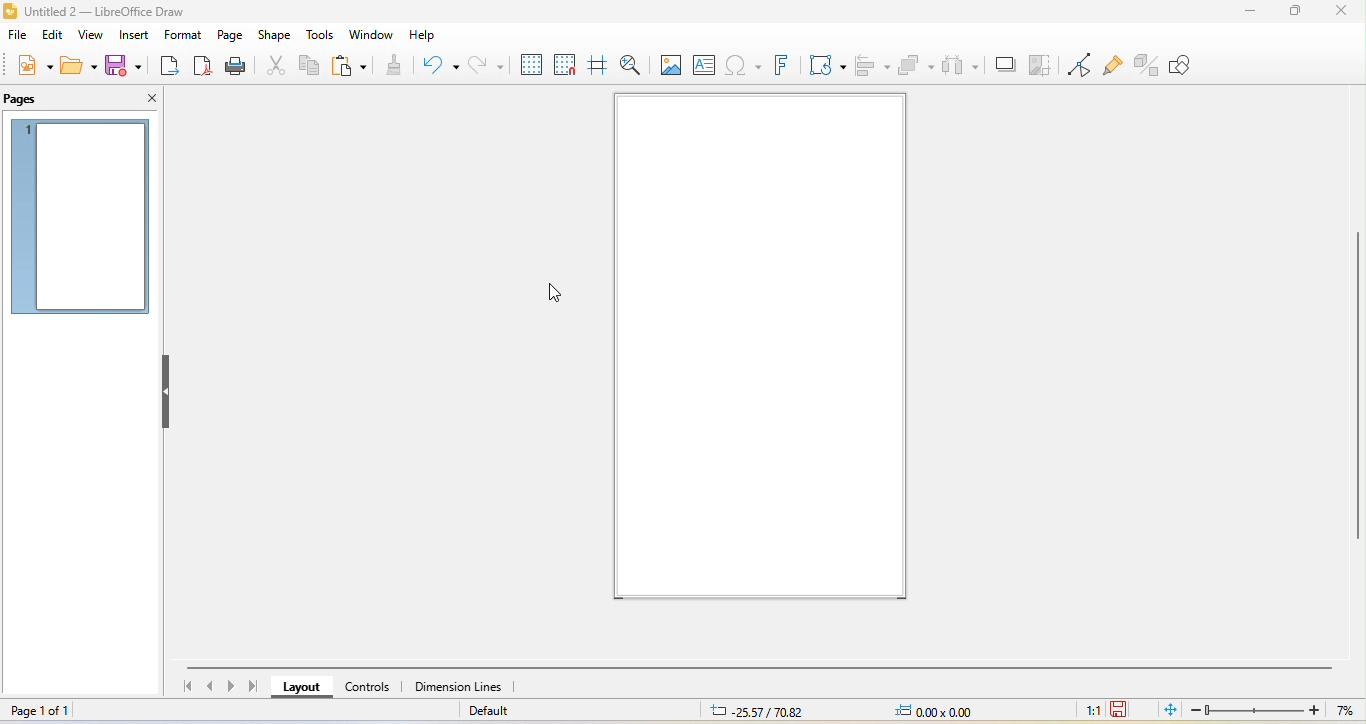 The height and width of the screenshot is (724, 1366). I want to click on click to save the document, so click(1120, 708).